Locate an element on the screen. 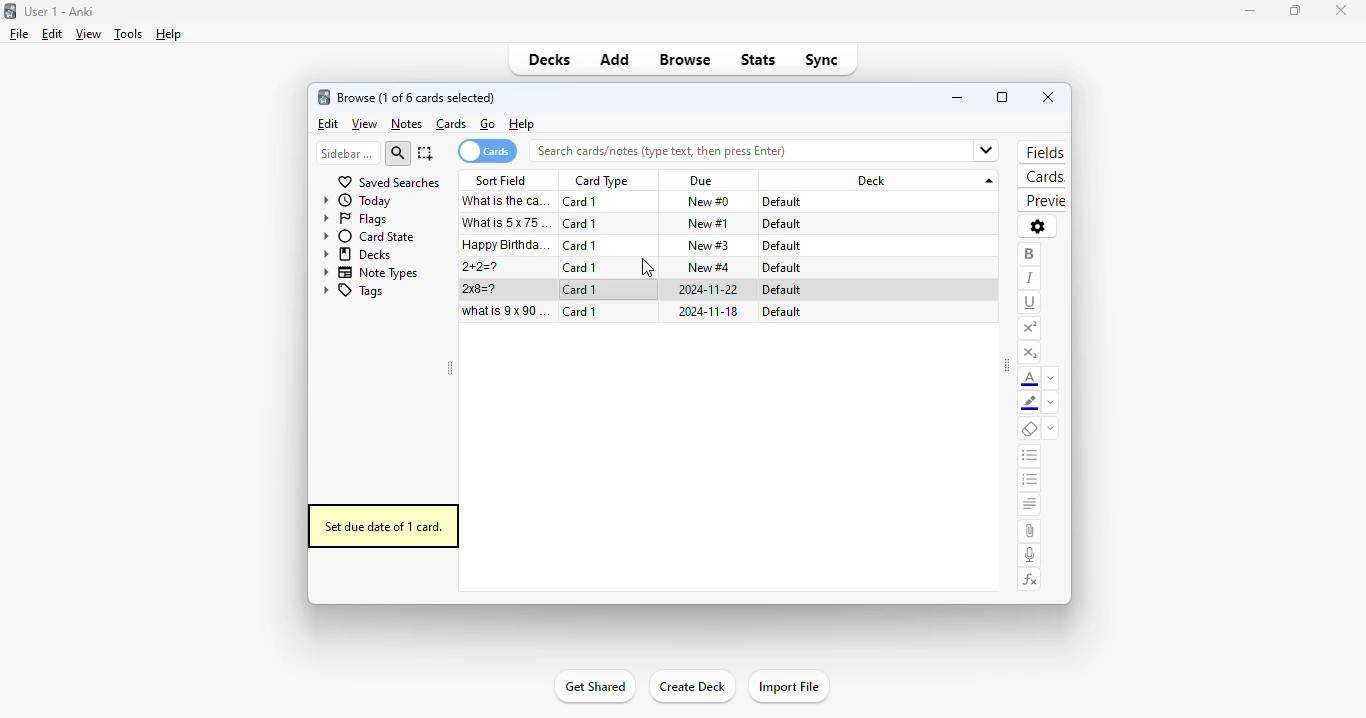 Image resolution: width=1366 pixels, height=718 pixels. card 1 is located at coordinates (581, 245).